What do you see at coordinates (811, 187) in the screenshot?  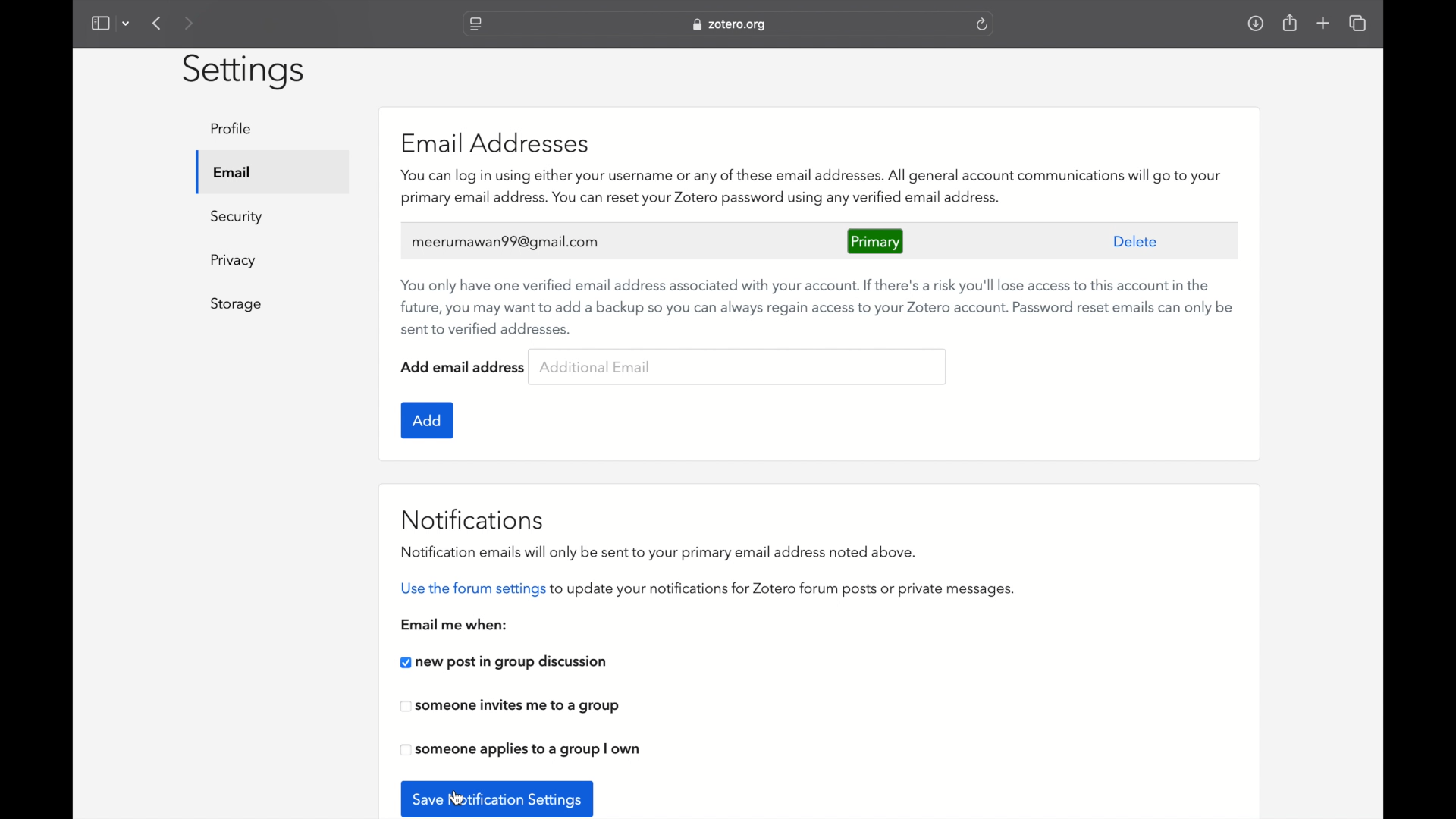 I see `zotero features associated with email` at bounding box center [811, 187].